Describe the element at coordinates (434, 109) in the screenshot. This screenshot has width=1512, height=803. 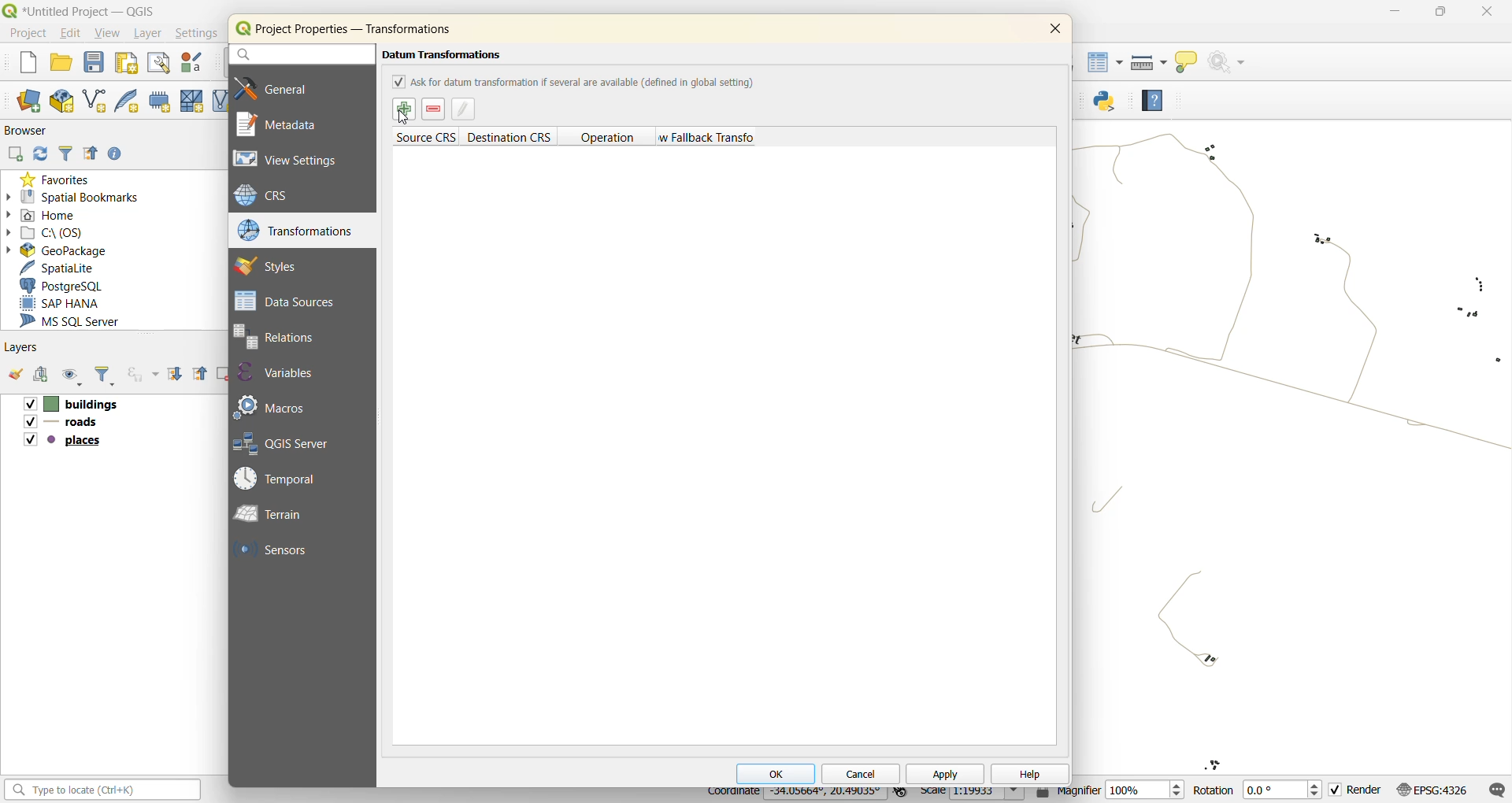
I see `remove datum transformations` at that location.